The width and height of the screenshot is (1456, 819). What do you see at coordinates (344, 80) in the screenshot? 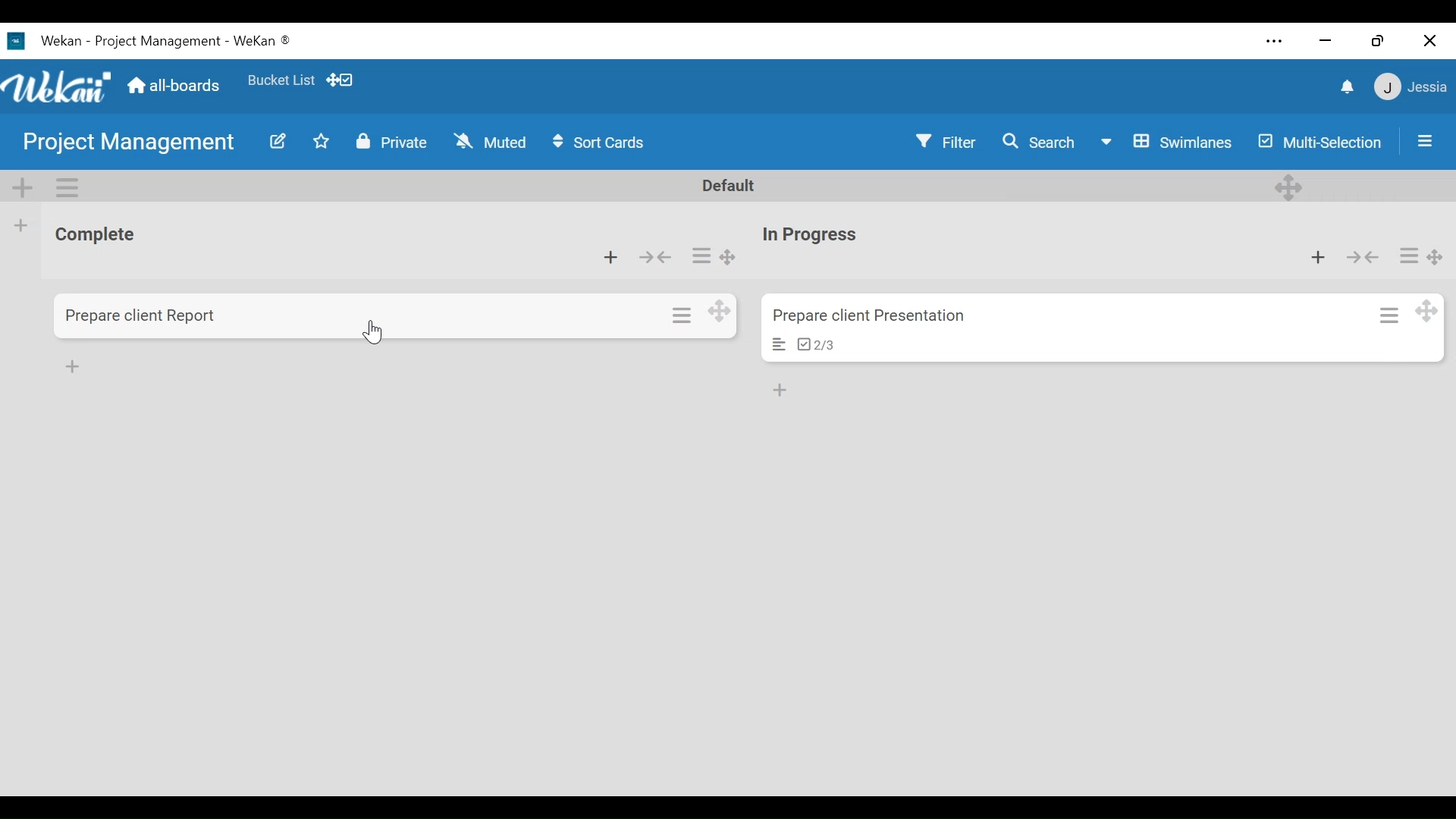
I see `Show desktop drag handles` at bounding box center [344, 80].